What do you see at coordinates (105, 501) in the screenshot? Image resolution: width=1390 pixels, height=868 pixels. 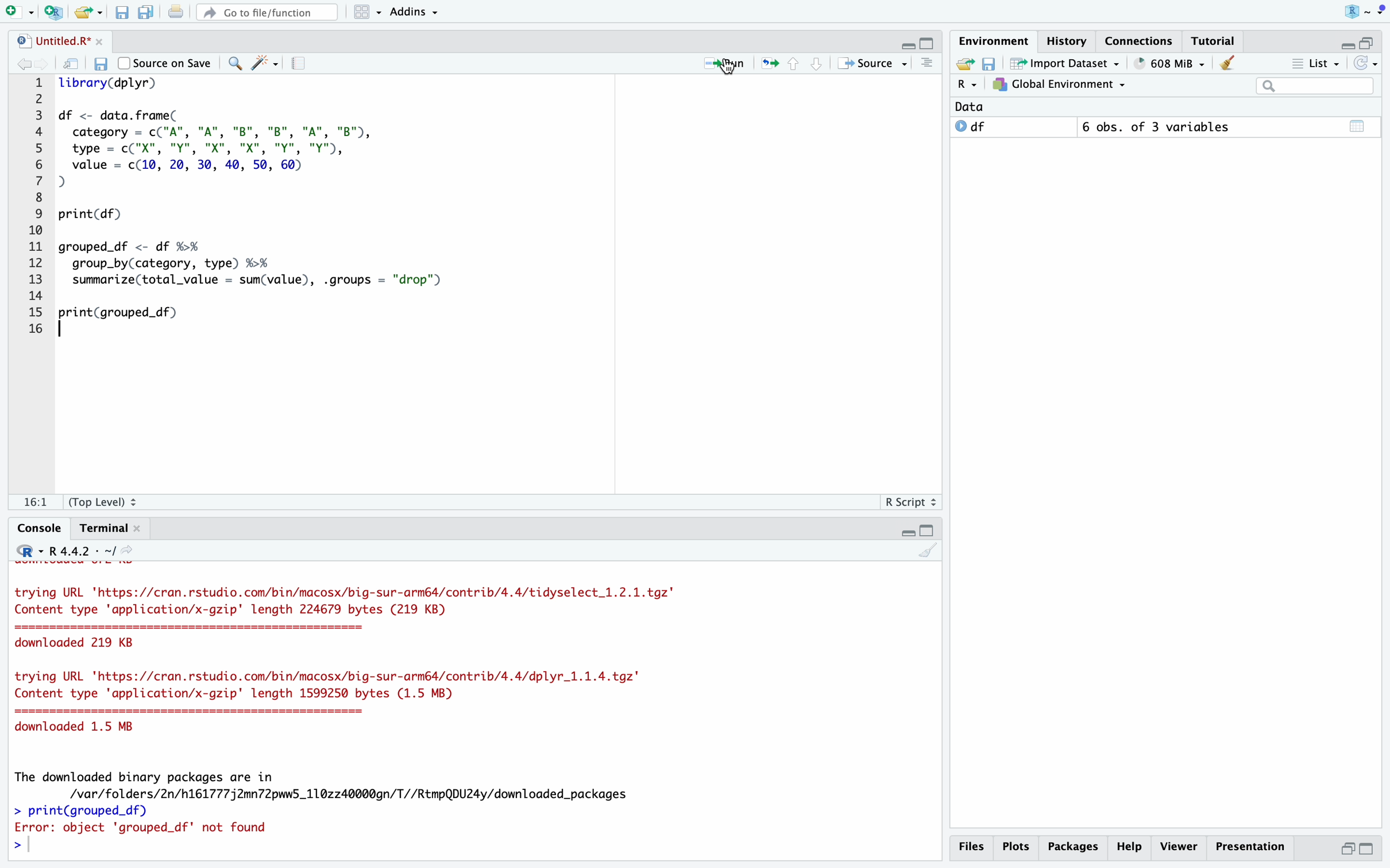 I see `(Top Level)` at bounding box center [105, 501].